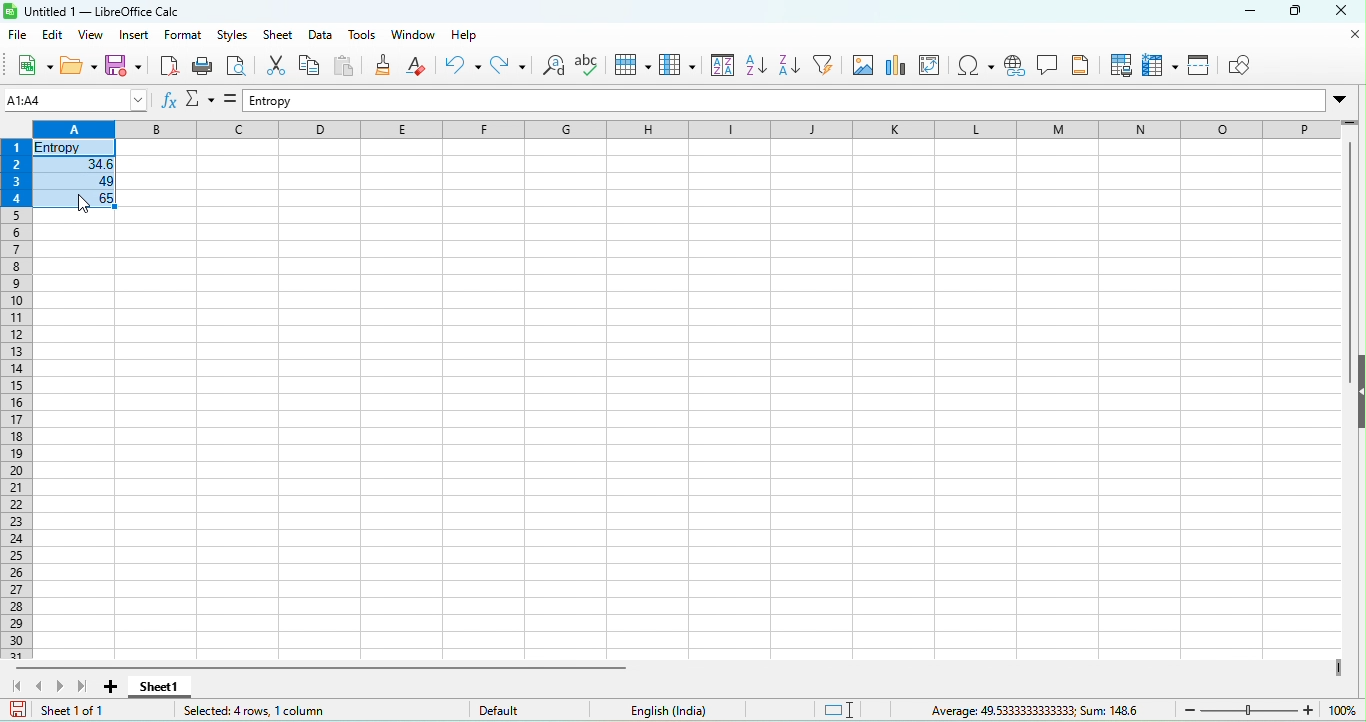 This screenshot has height=722, width=1366. Describe the element at coordinates (1158, 68) in the screenshot. I see `freeze row and column` at that location.